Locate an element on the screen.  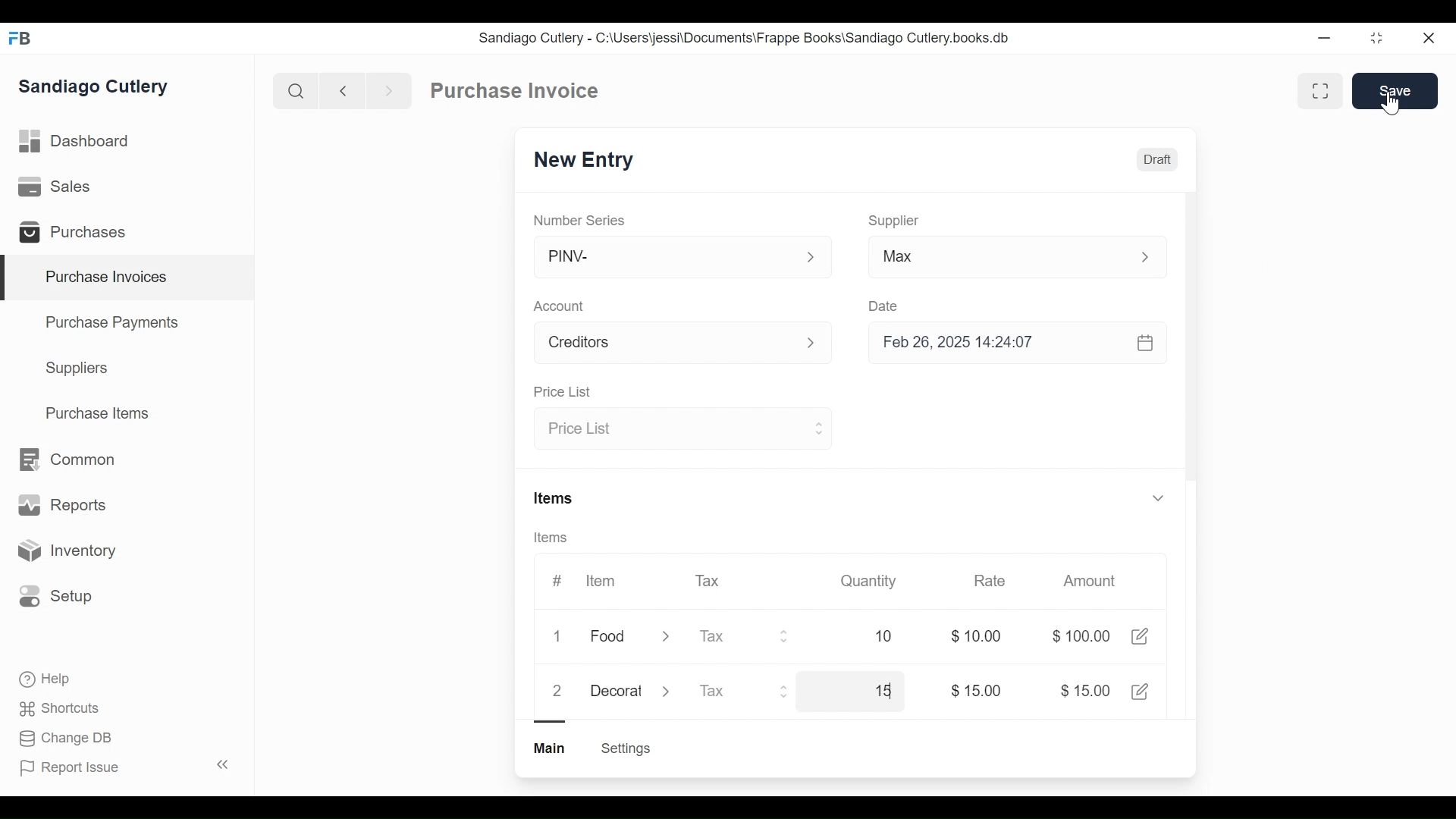
Expand is located at coordinates (1157, 497).